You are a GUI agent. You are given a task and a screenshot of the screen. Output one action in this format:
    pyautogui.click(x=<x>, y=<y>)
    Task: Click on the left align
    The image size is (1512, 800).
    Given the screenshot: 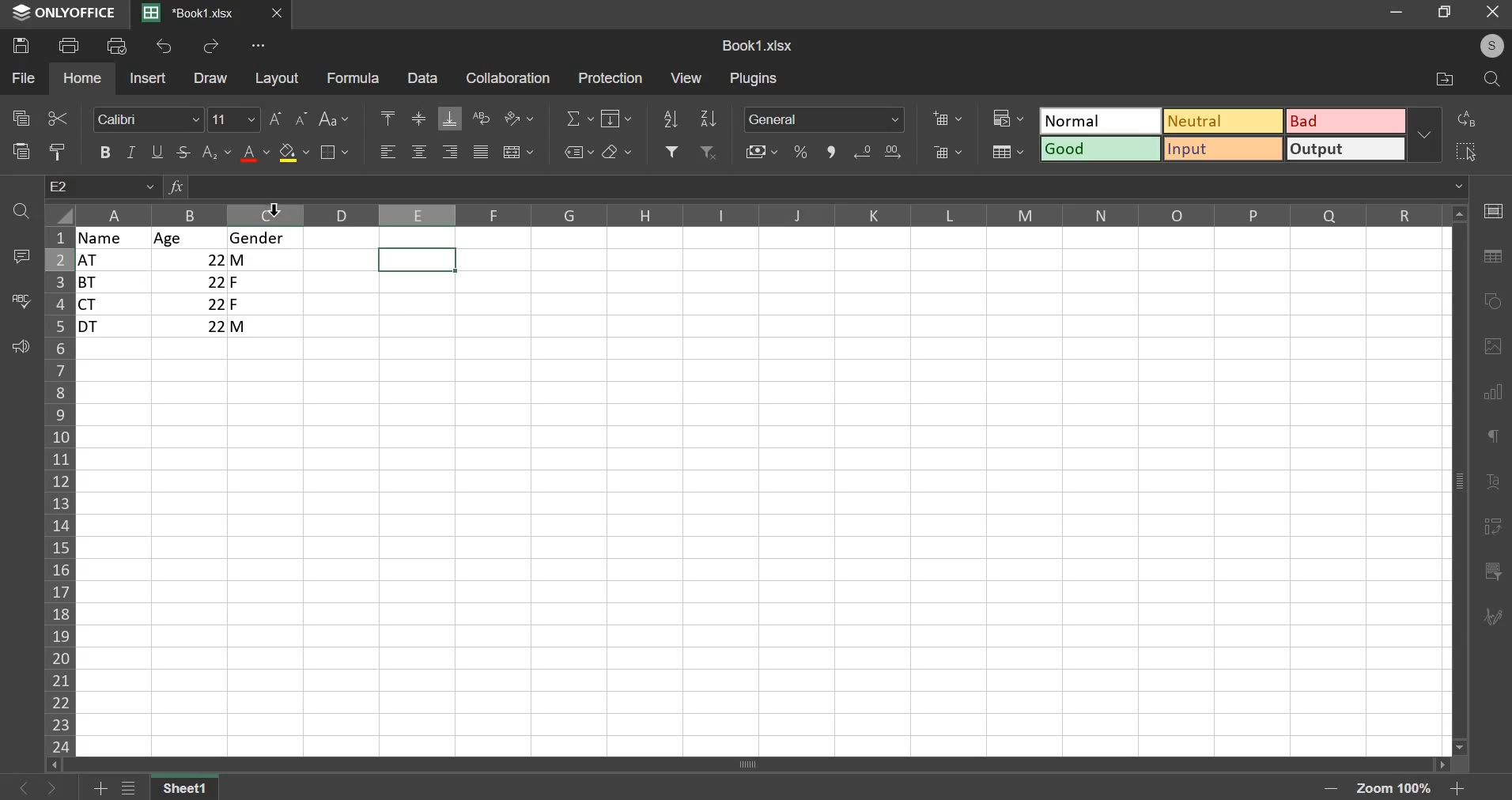 What is the action you would take?
    pyautogui.click(x=388, y=152)
    